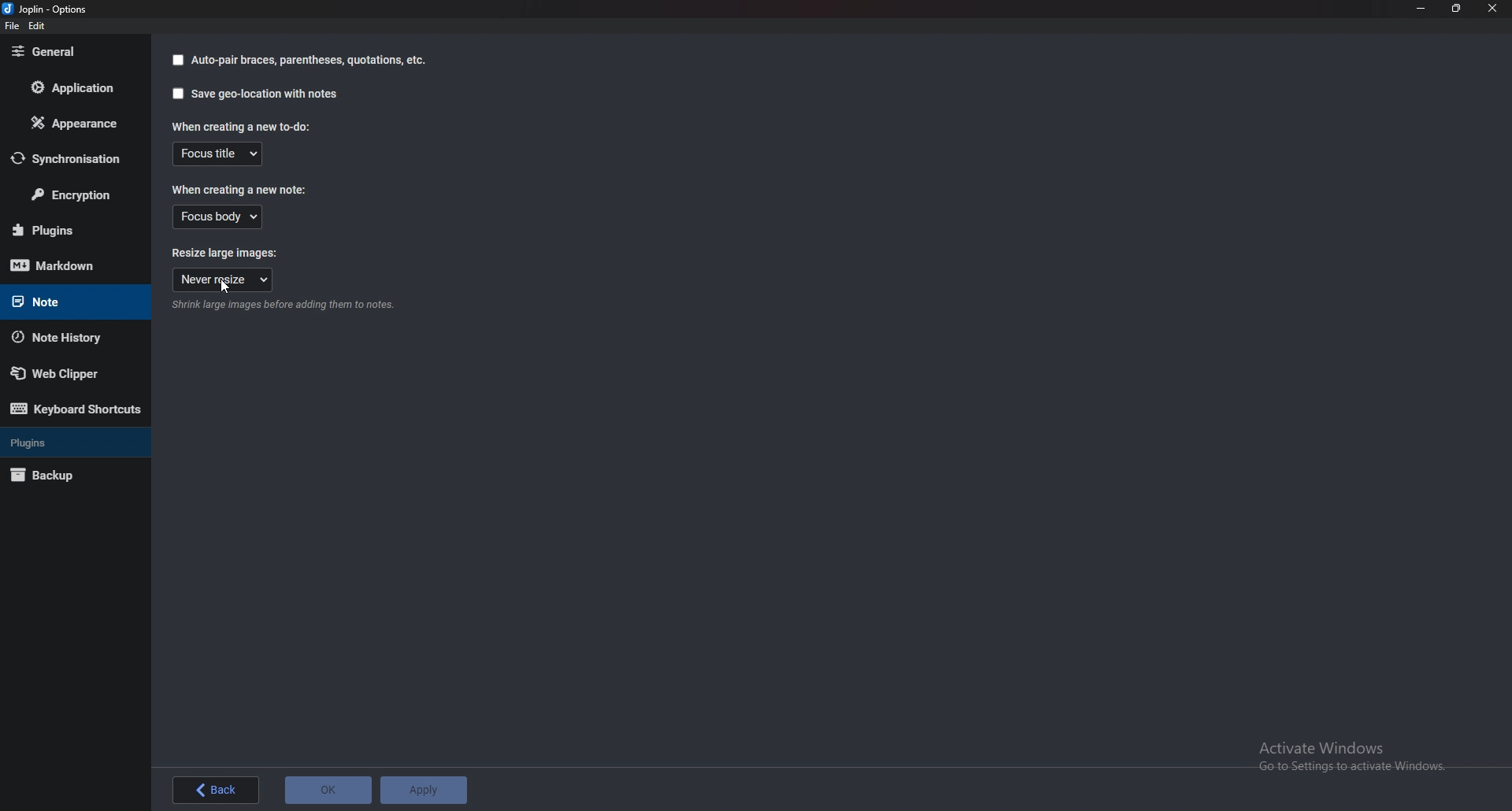 The height and width of the screenshot is (811, 1512). I want to click on Resize large images, so click(236, 252).